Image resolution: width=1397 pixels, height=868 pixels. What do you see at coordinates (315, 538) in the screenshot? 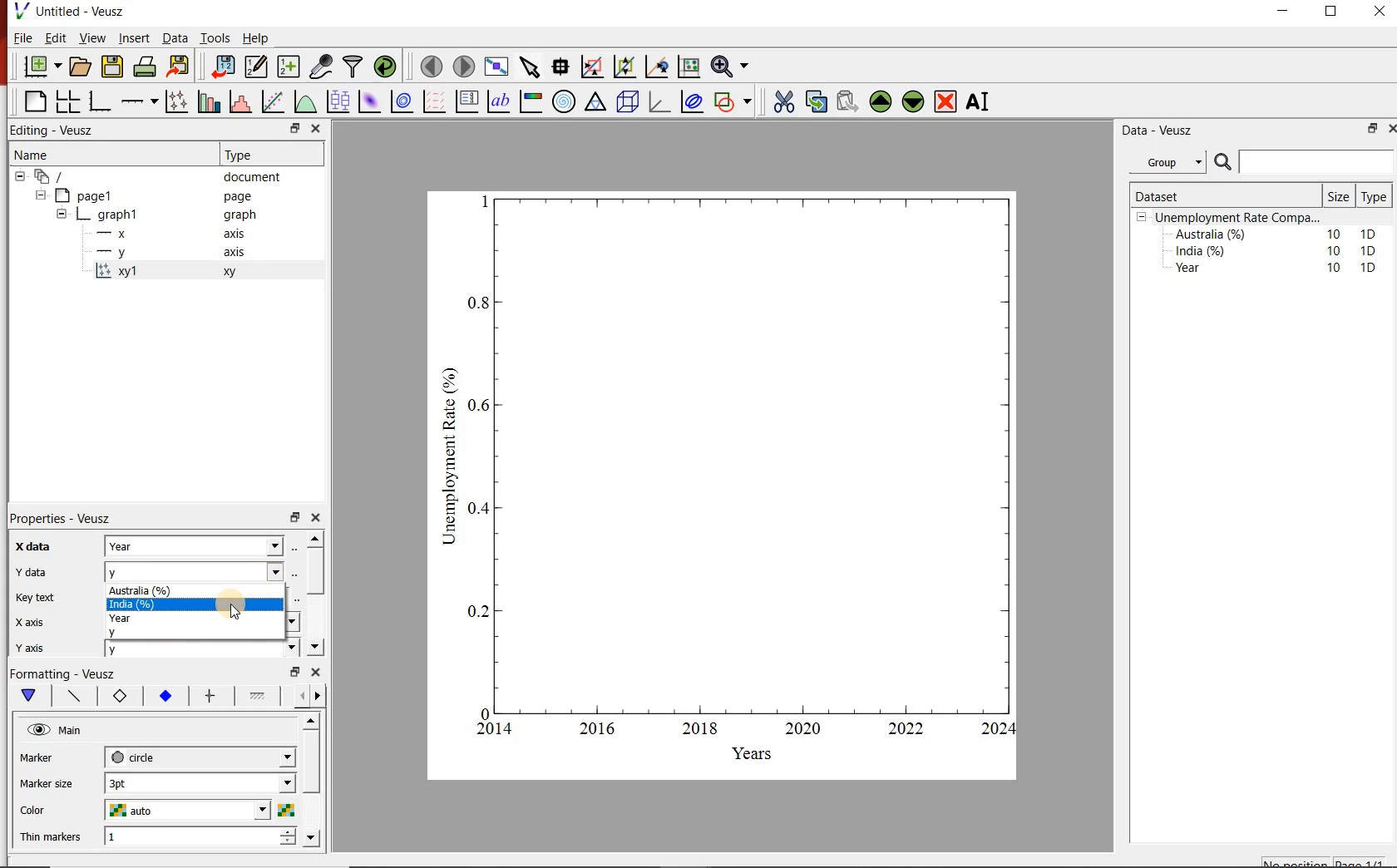
I see `move up` at bounding box center [315, 538].